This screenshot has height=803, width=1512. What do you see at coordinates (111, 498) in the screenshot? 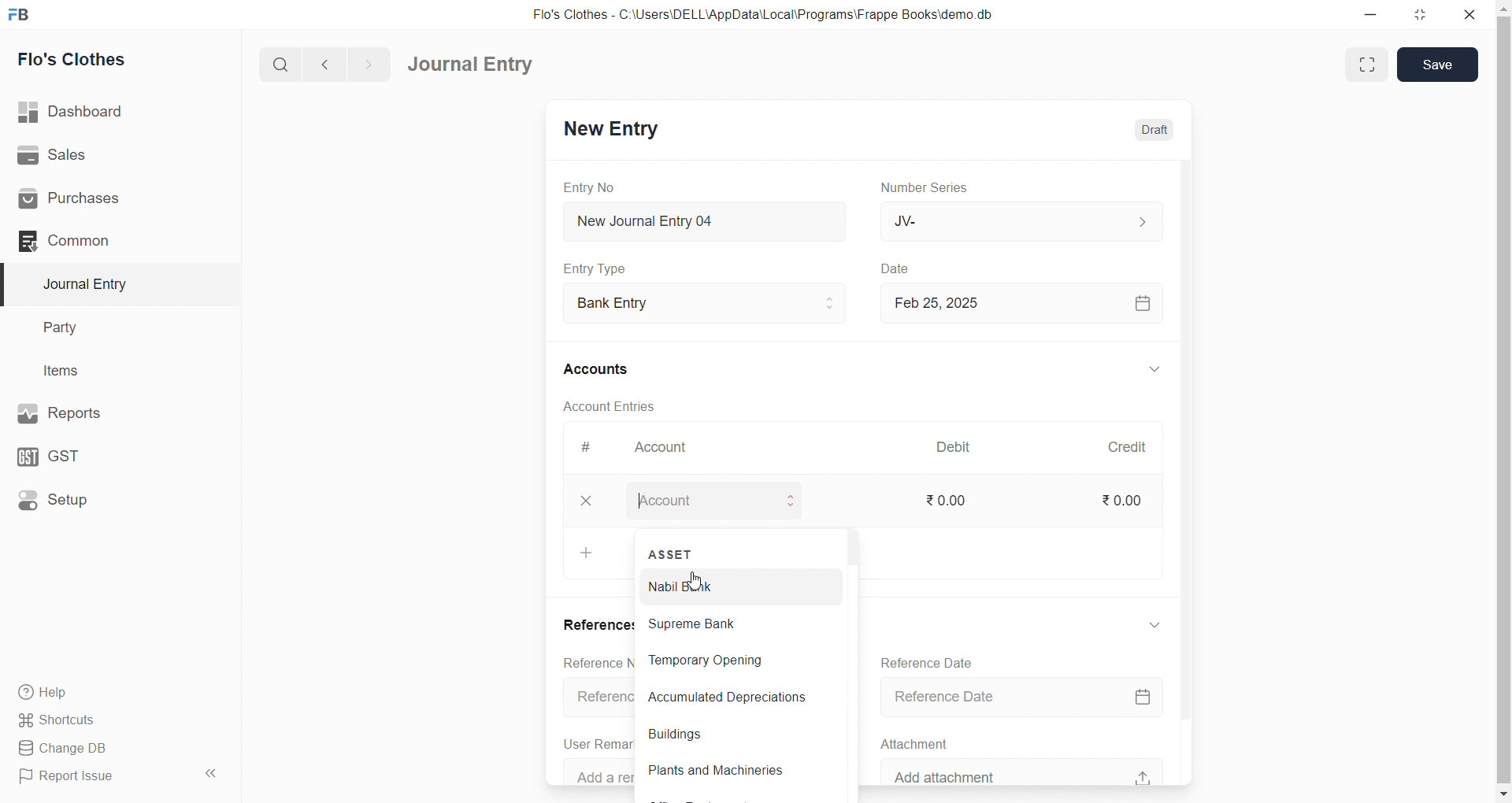
I see `Setup` at bounding box center [111, 498].